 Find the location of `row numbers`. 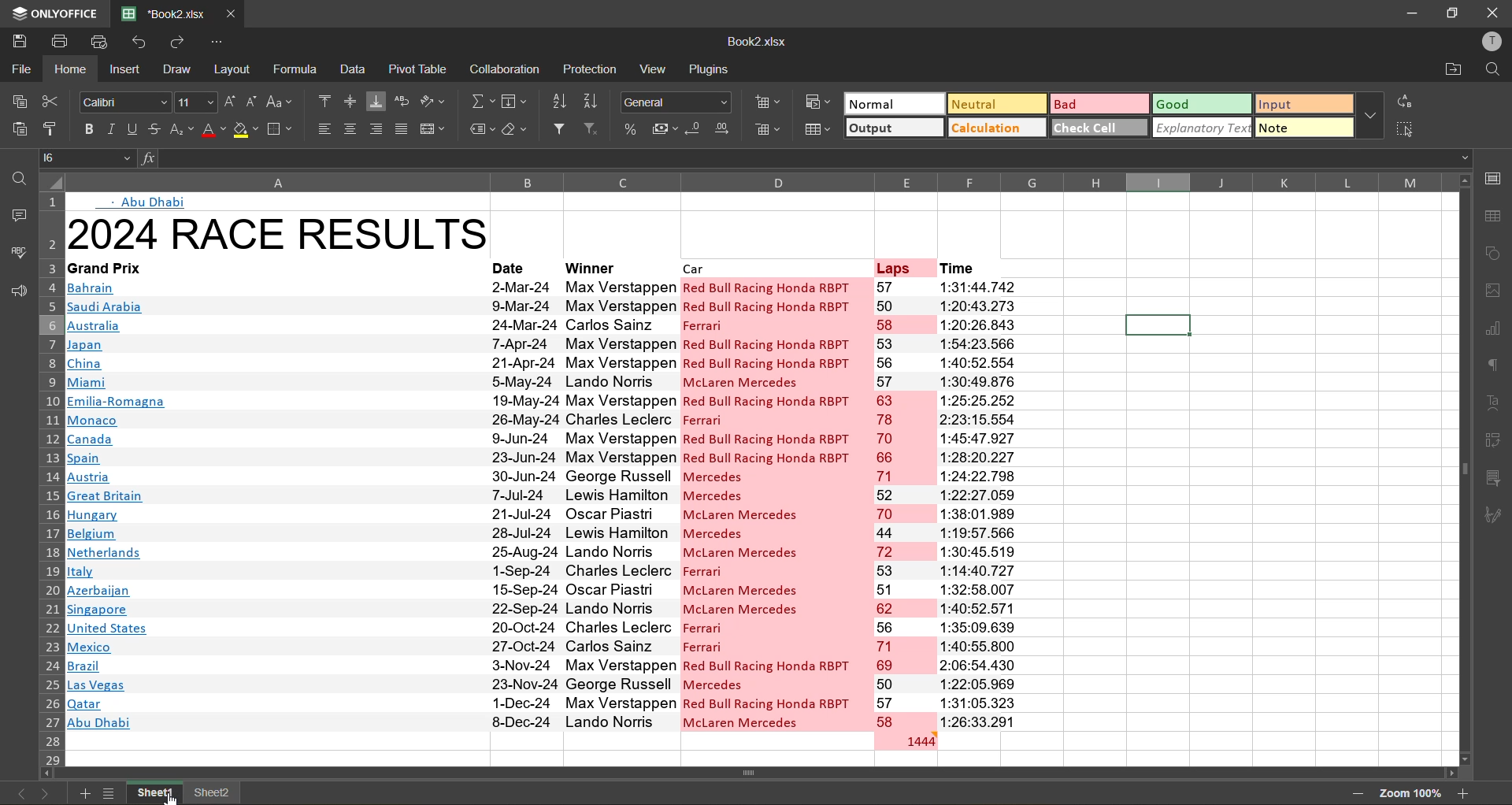

row numbers is located at coordinates (49, 477).